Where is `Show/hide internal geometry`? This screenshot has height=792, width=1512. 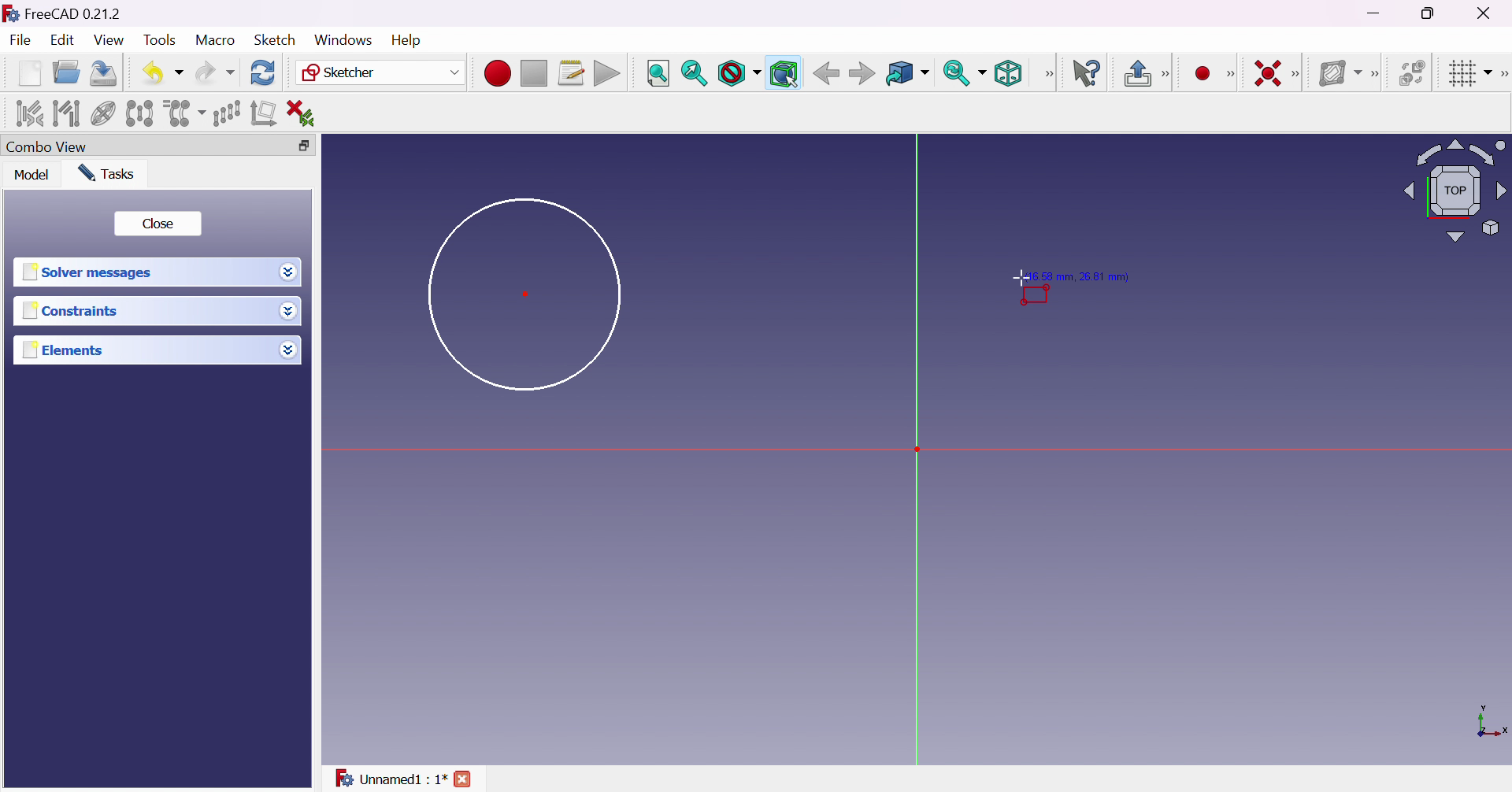
Show/hide internal geometry is located at coordinates (105, 115).